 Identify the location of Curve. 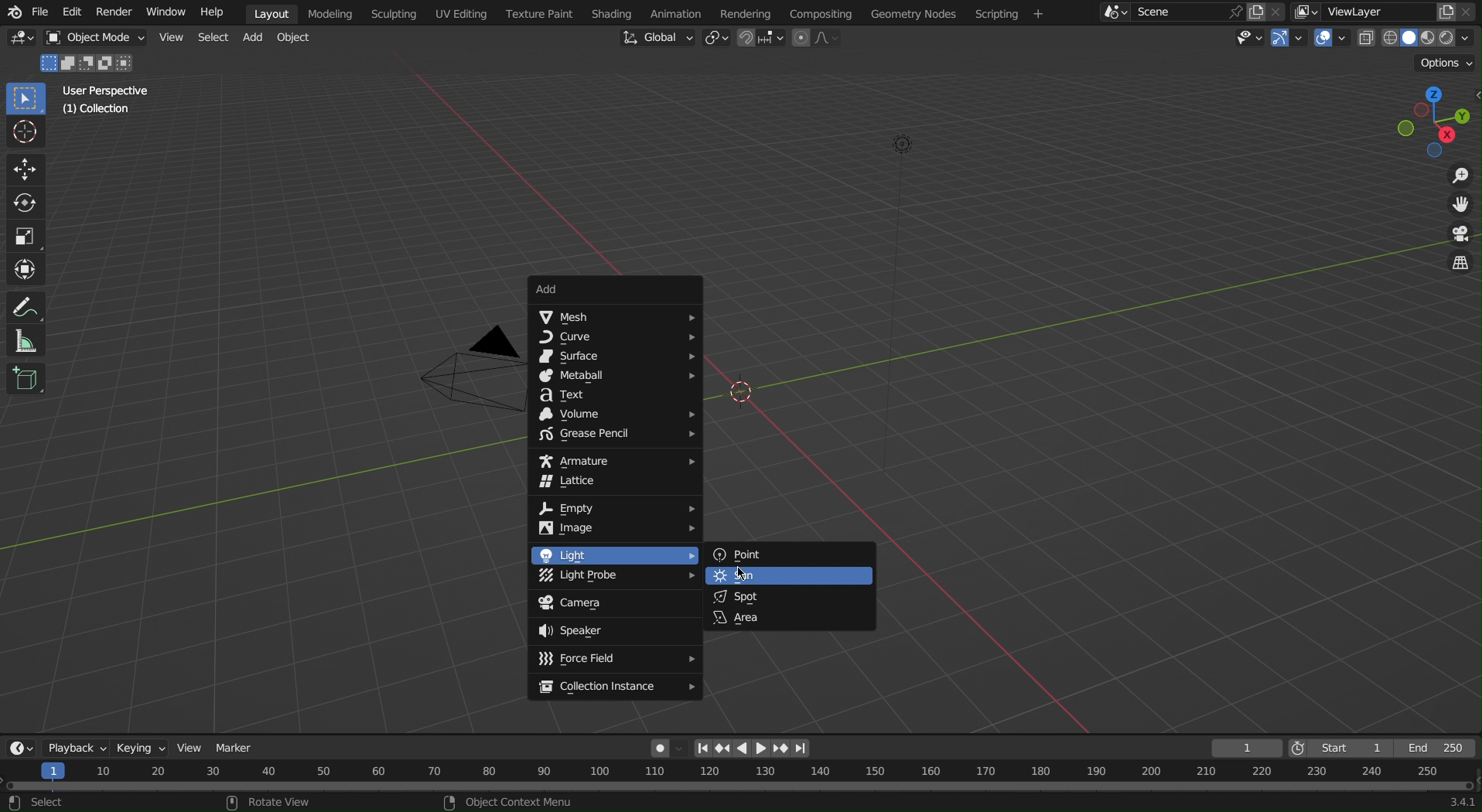
(616, 339).